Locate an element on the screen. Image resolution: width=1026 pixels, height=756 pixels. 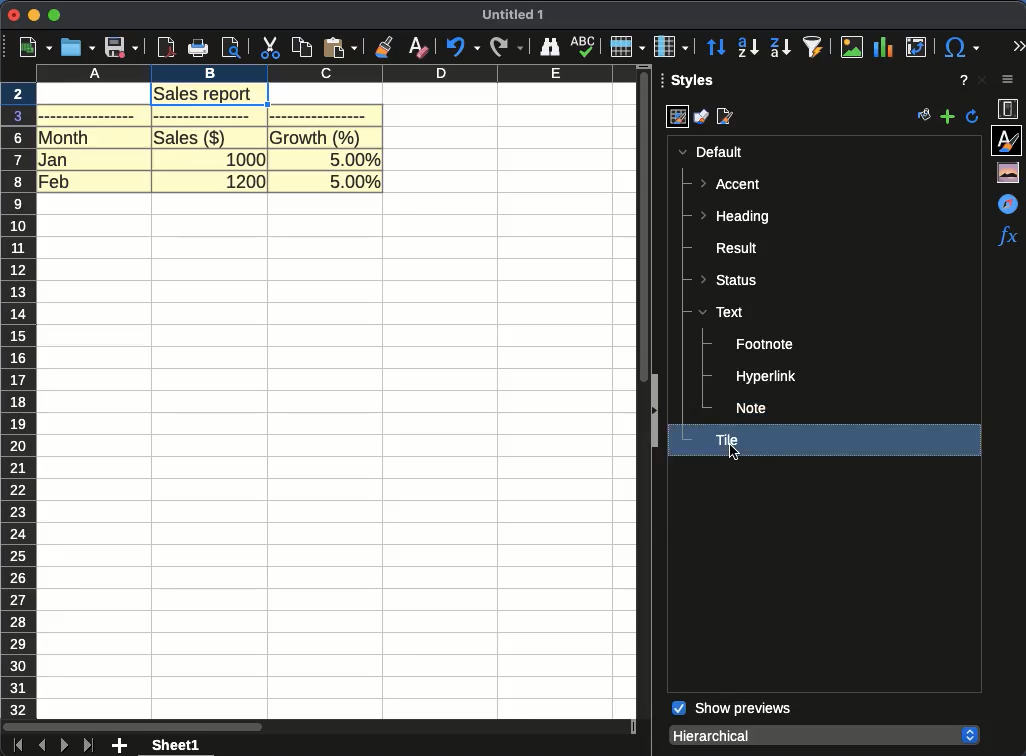
scroll is located at coordinates (644, 225).